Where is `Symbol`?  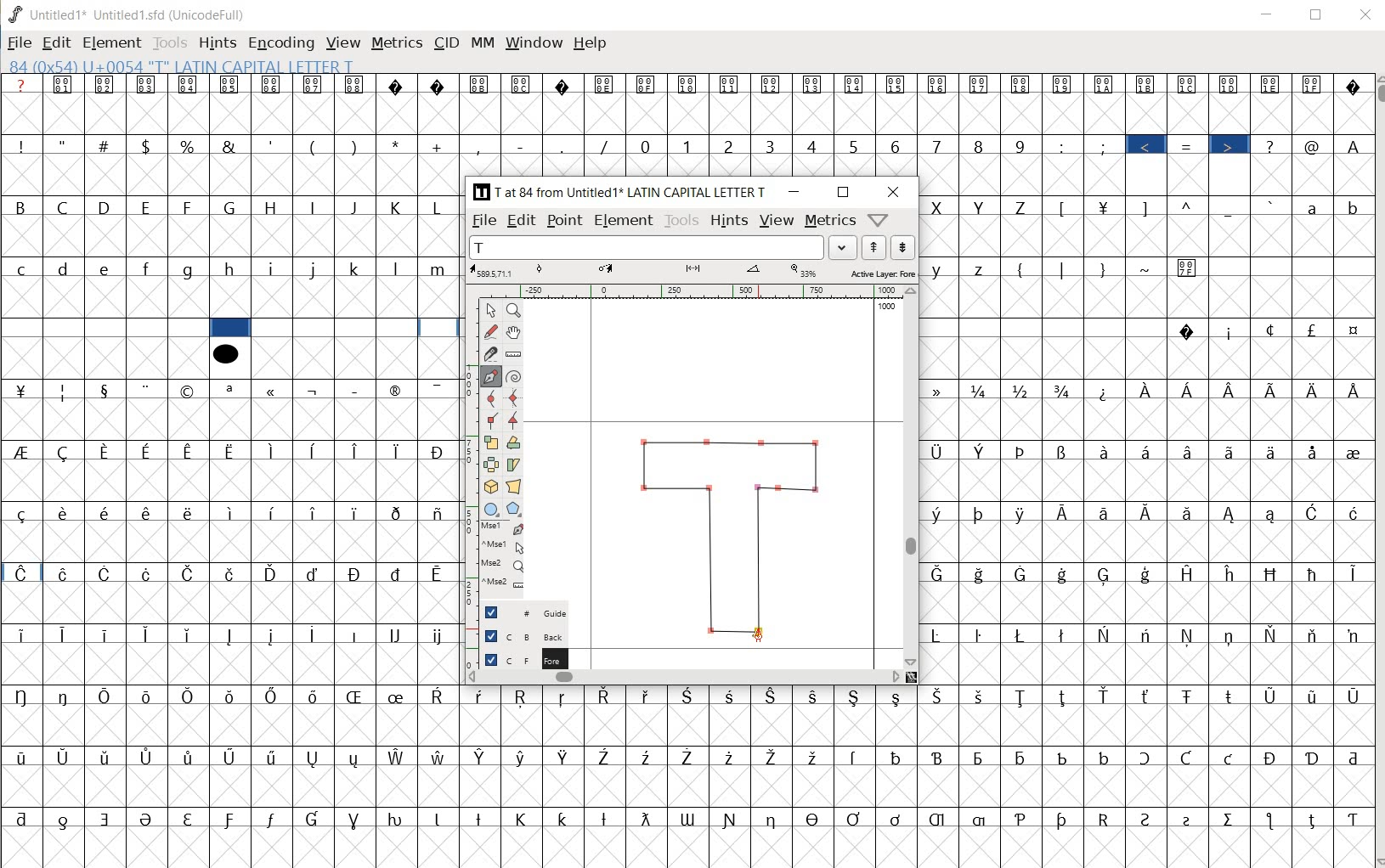 Symbol is located at coordinates (64, 573).